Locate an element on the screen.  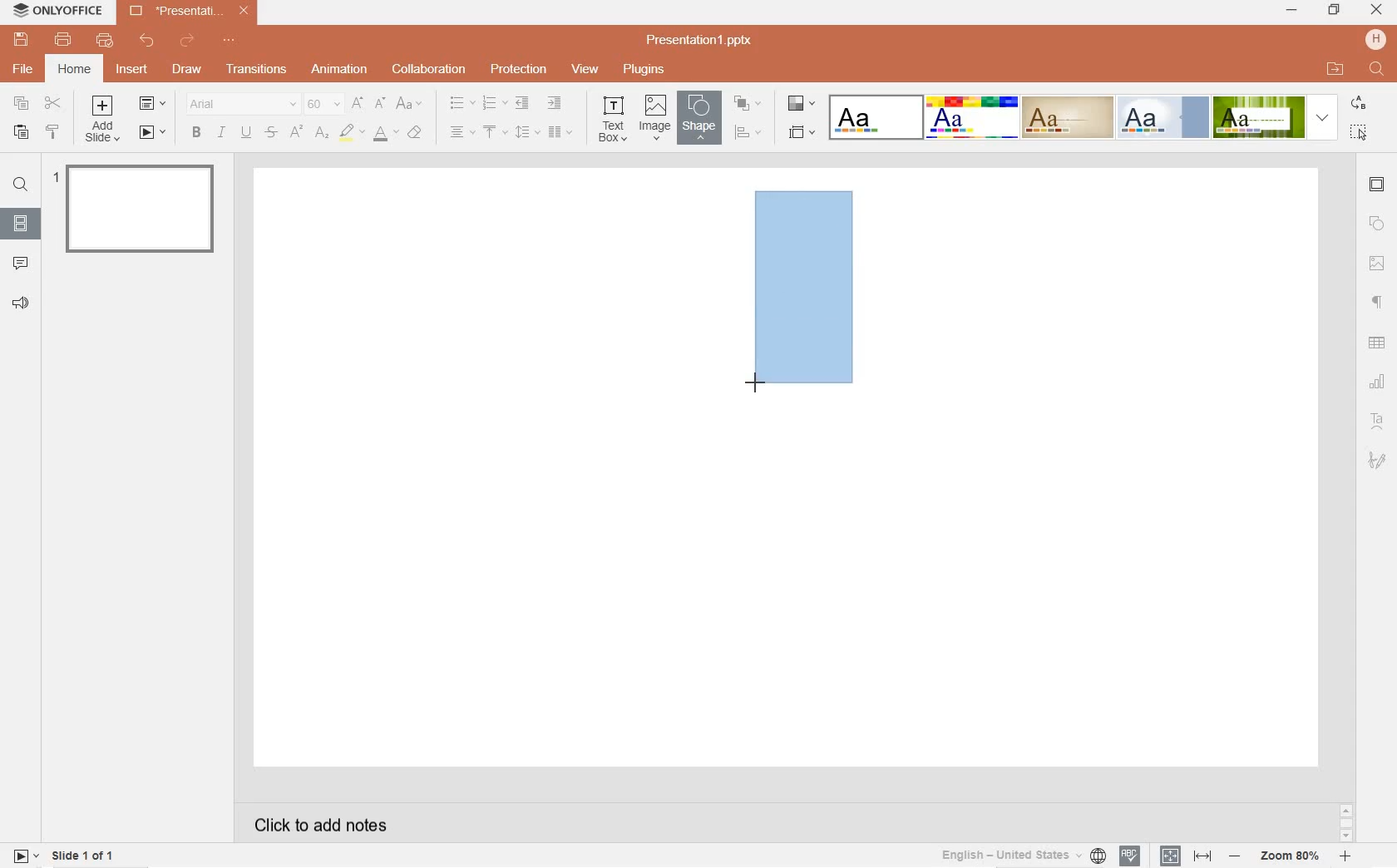
shape is located at coordinates (697, 117).